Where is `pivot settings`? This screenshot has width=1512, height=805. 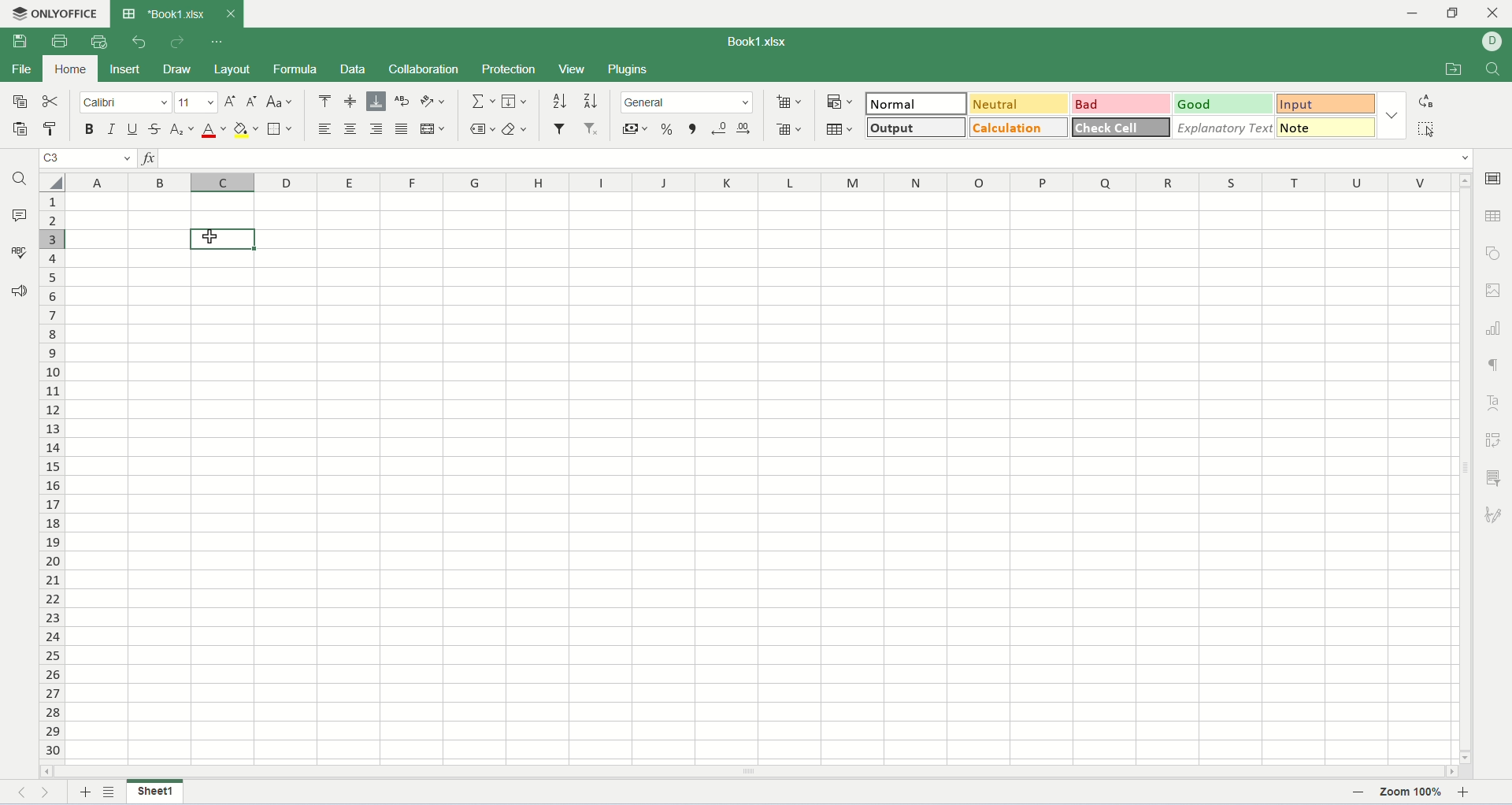 pivot settings is located at coordinates (1496, 437).